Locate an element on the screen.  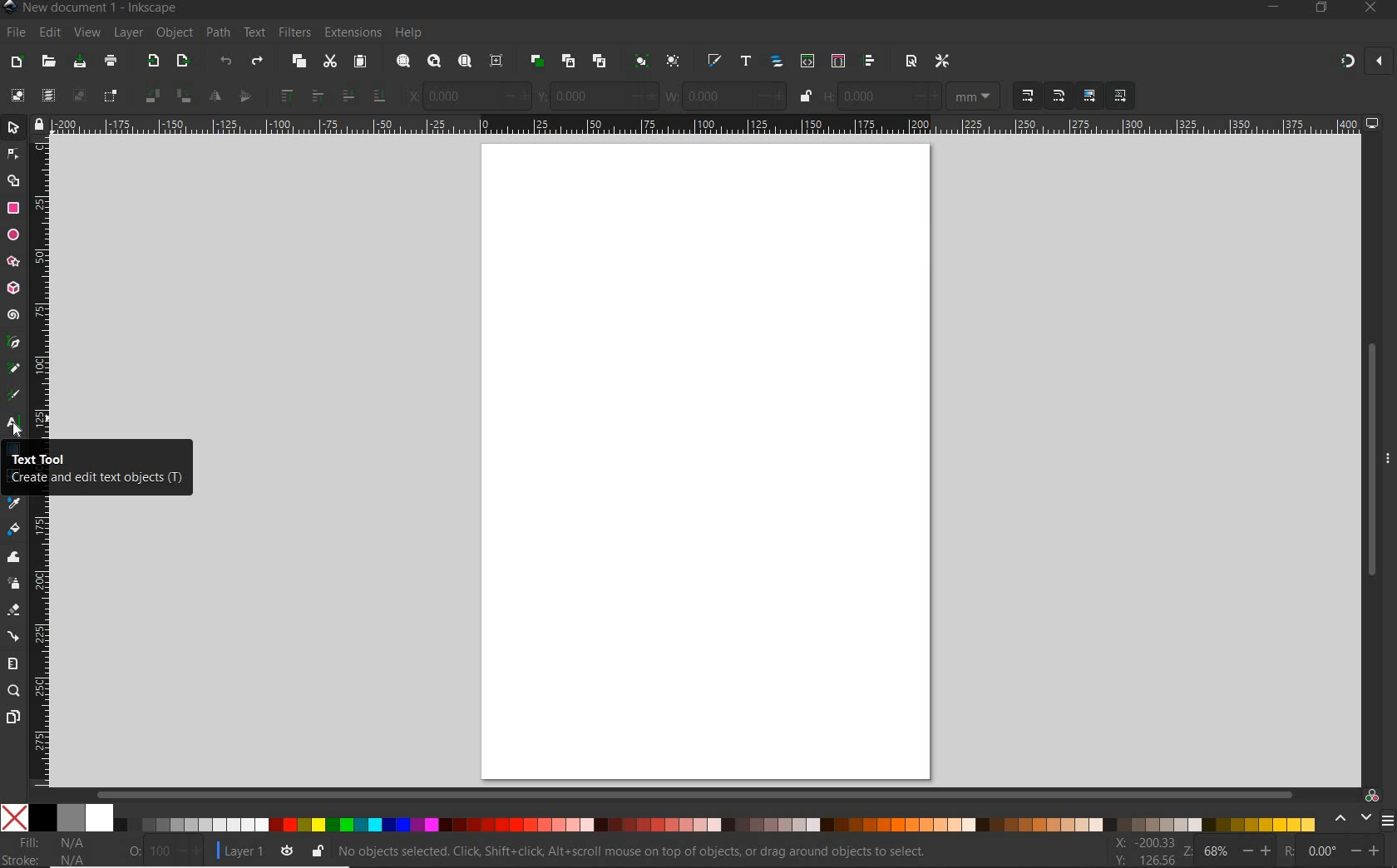
toggle selection box is located at coordinates (109, 99).